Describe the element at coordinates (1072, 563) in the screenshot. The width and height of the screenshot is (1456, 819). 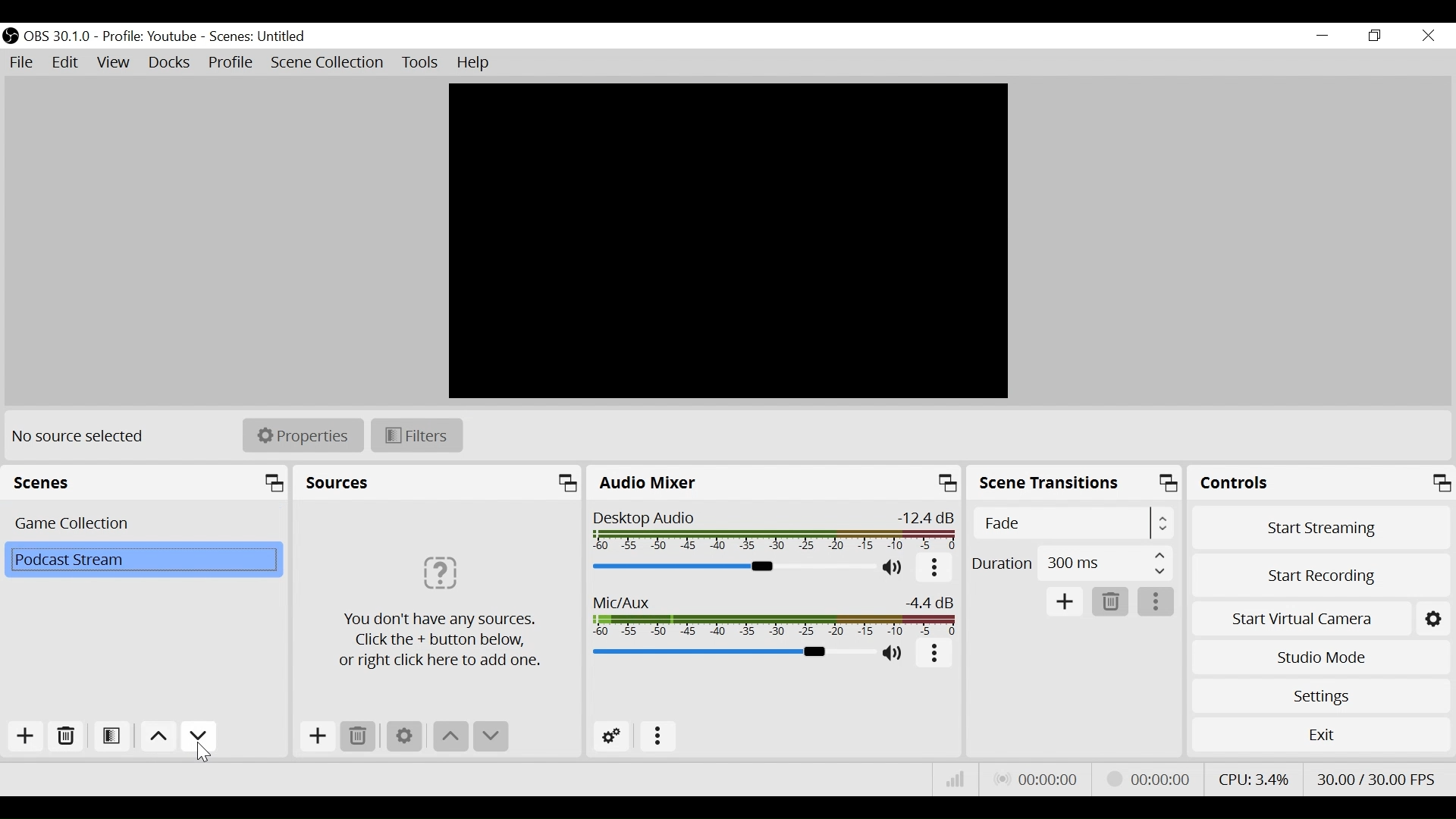
I see `(un)select Duration` at that location.